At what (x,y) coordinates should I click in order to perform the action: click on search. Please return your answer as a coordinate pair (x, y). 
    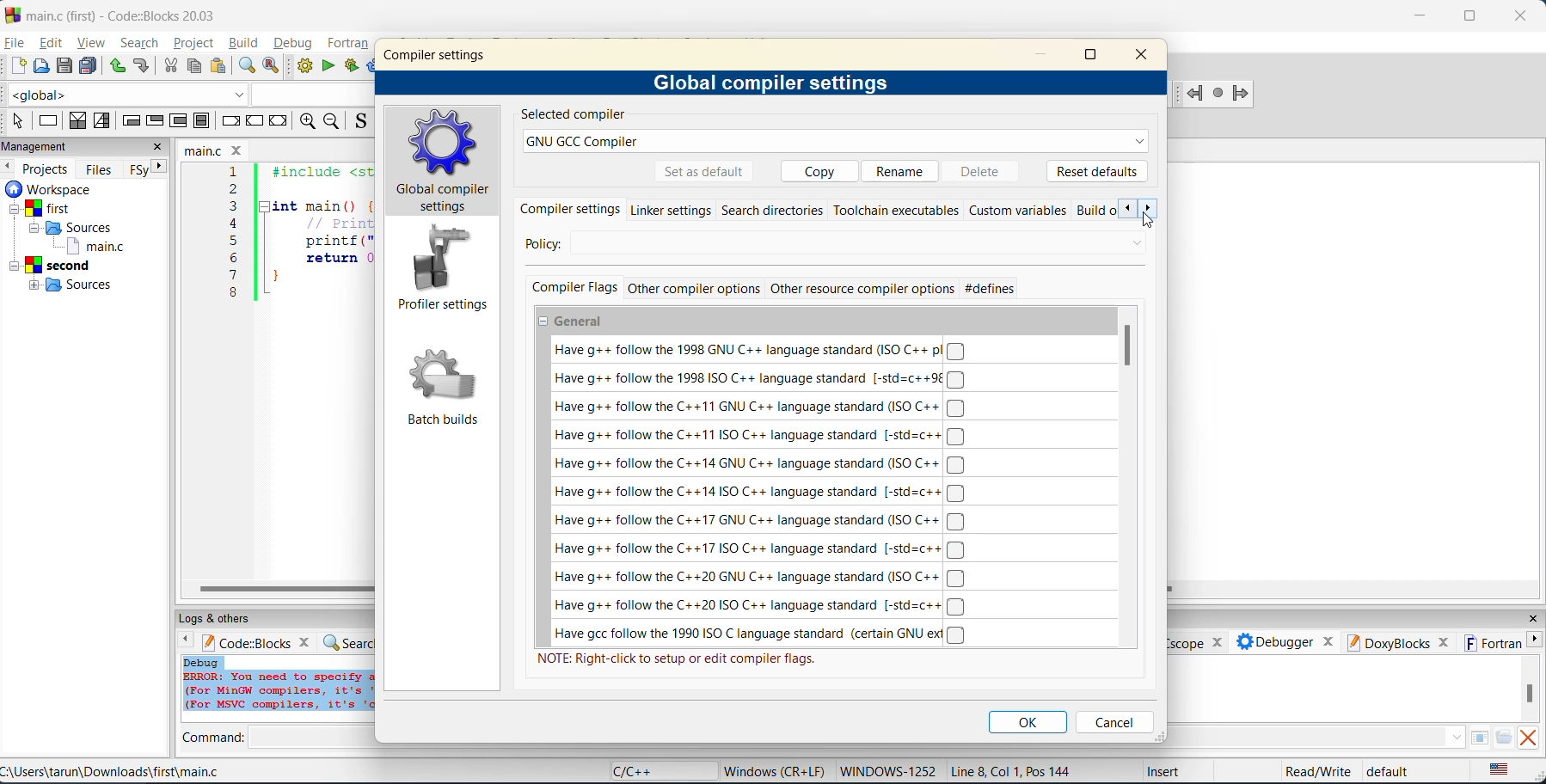
    Looking at the image, I should click on (142, 42).